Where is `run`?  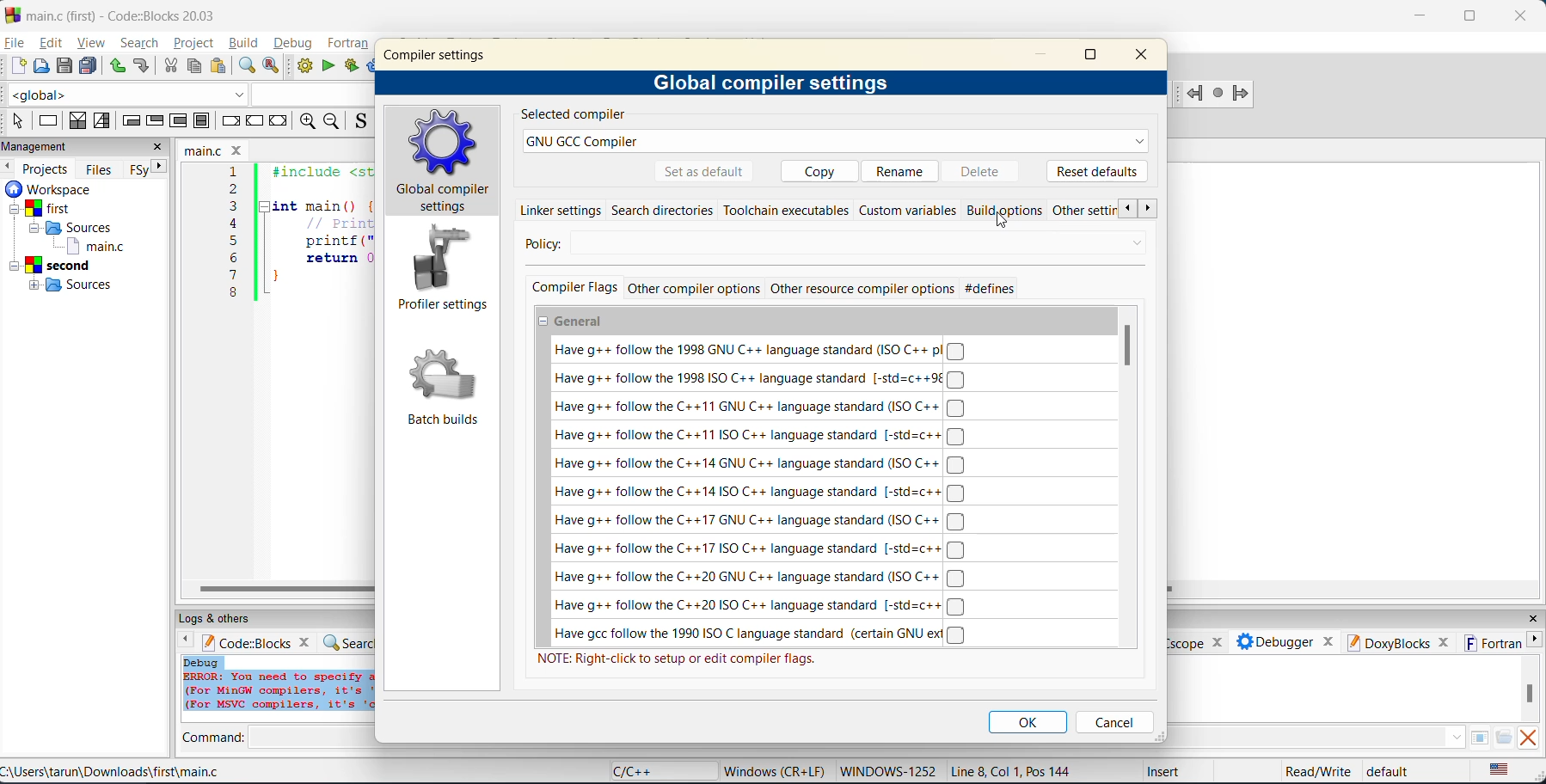
run is located at coordinates (328, 65).